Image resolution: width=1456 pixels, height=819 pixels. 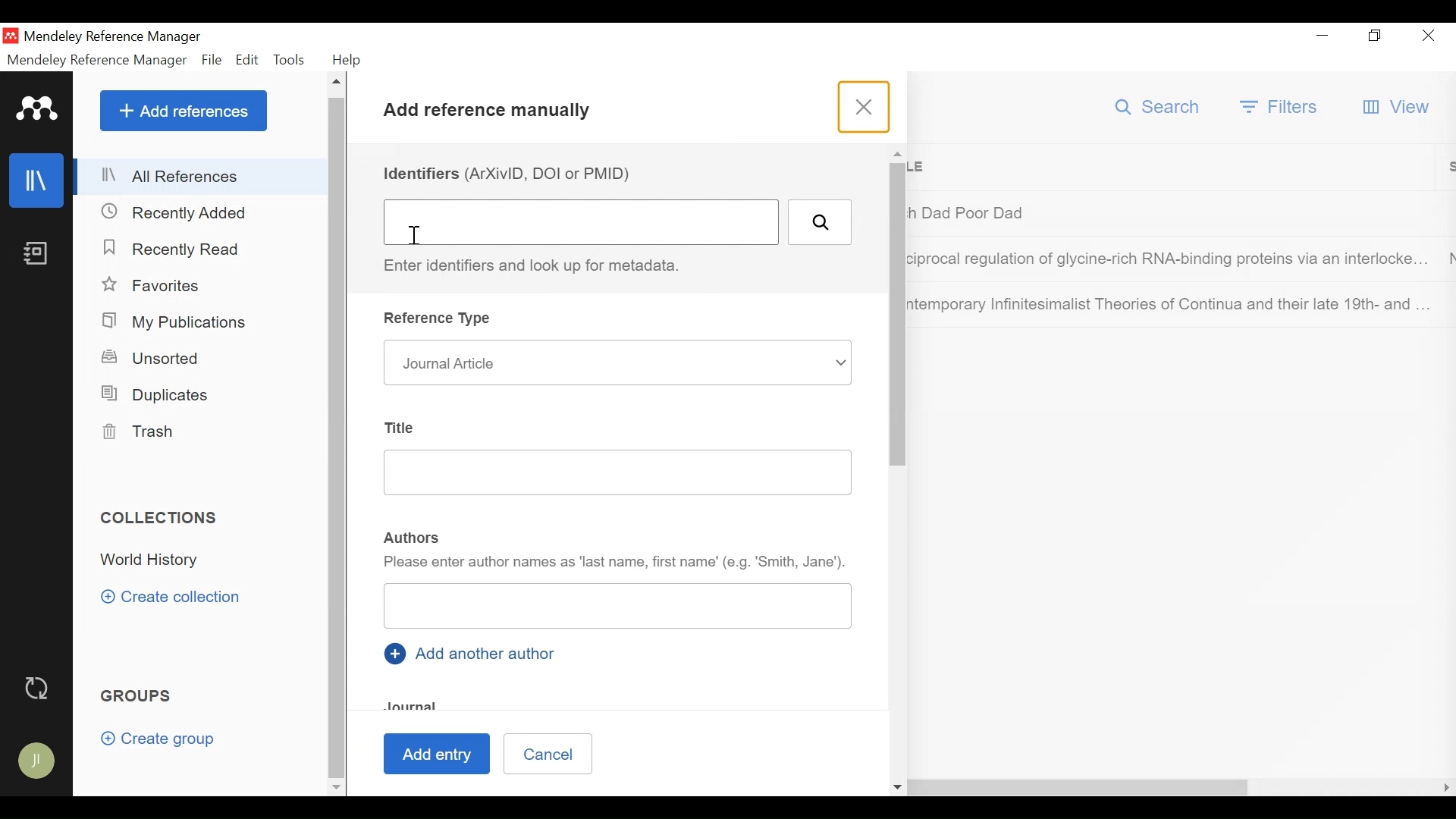 What do you see at coordinates (10, 35) in the screenshot?
I see `Mendeley Desktop icon` at bounding box center [10, 35].